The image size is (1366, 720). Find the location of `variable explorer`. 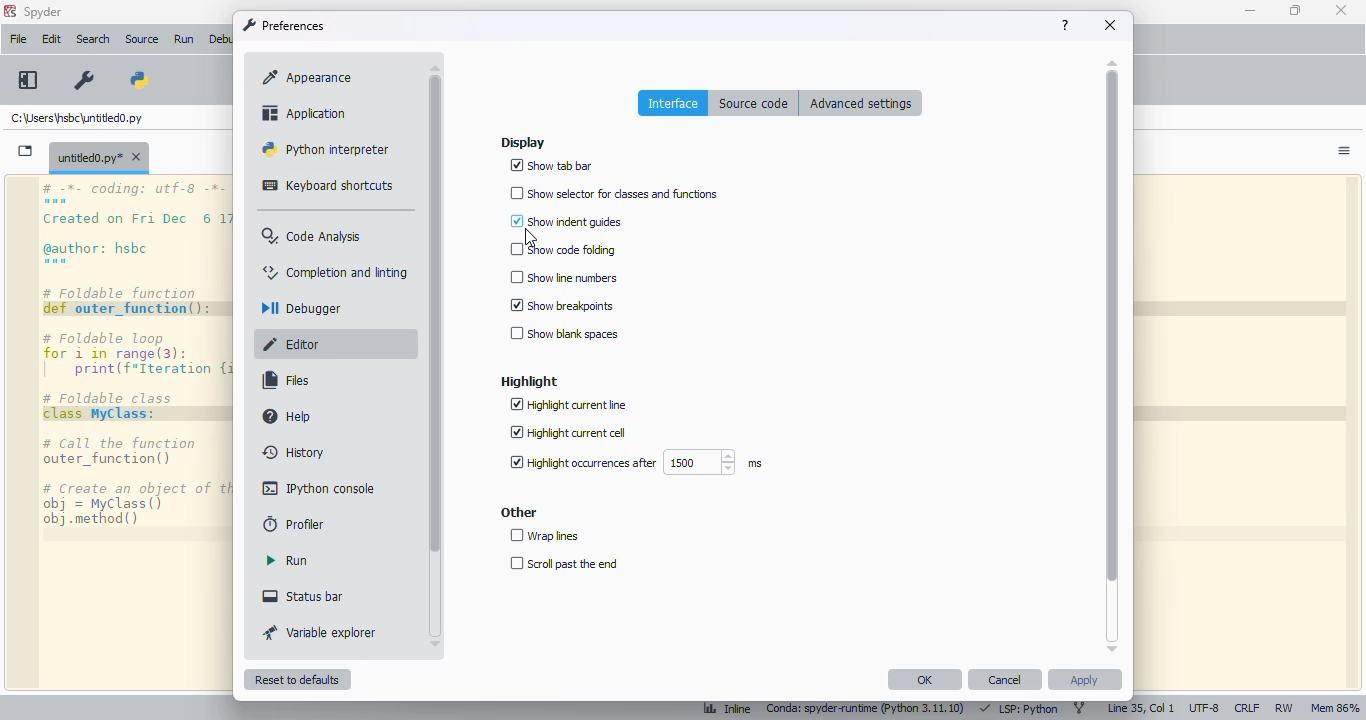

variable explorer is located at coordinates (320, 632).